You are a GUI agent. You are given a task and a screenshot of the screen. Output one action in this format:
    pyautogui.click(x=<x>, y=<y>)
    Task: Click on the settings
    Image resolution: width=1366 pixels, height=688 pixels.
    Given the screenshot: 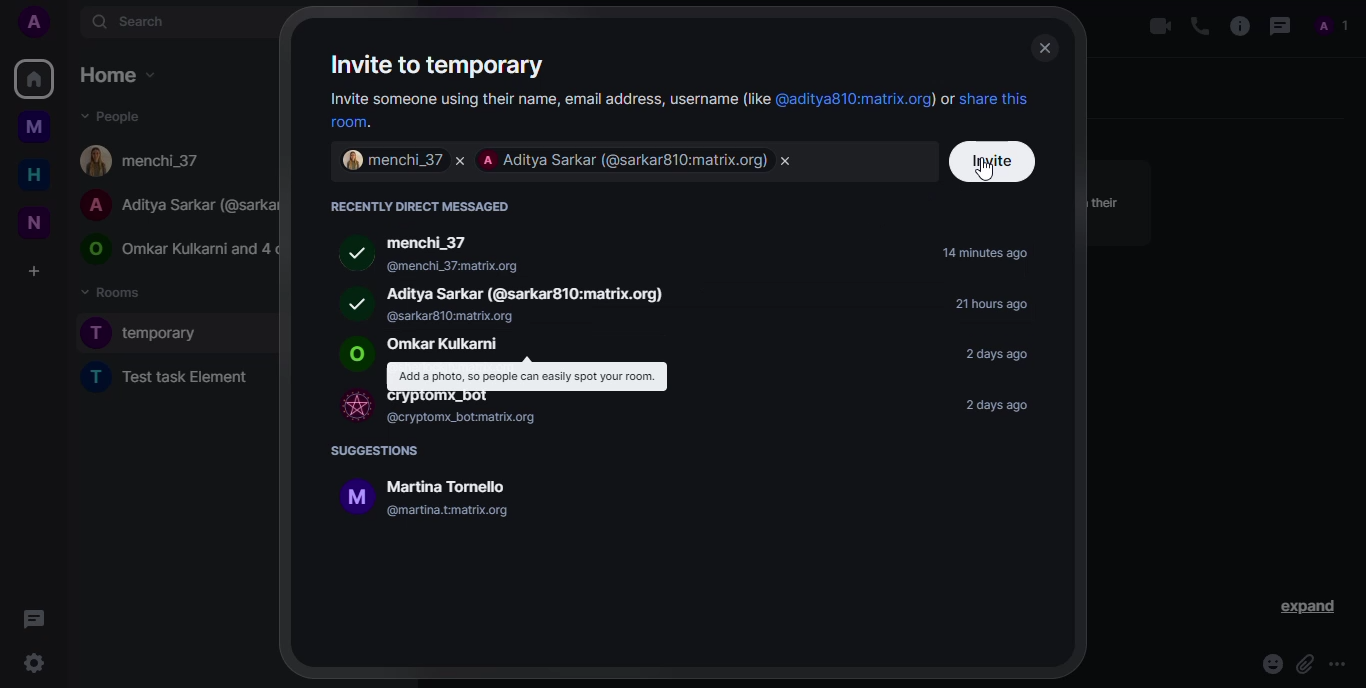 What is the action you would take?
    pyautogui.click(x=34, y=663)
    